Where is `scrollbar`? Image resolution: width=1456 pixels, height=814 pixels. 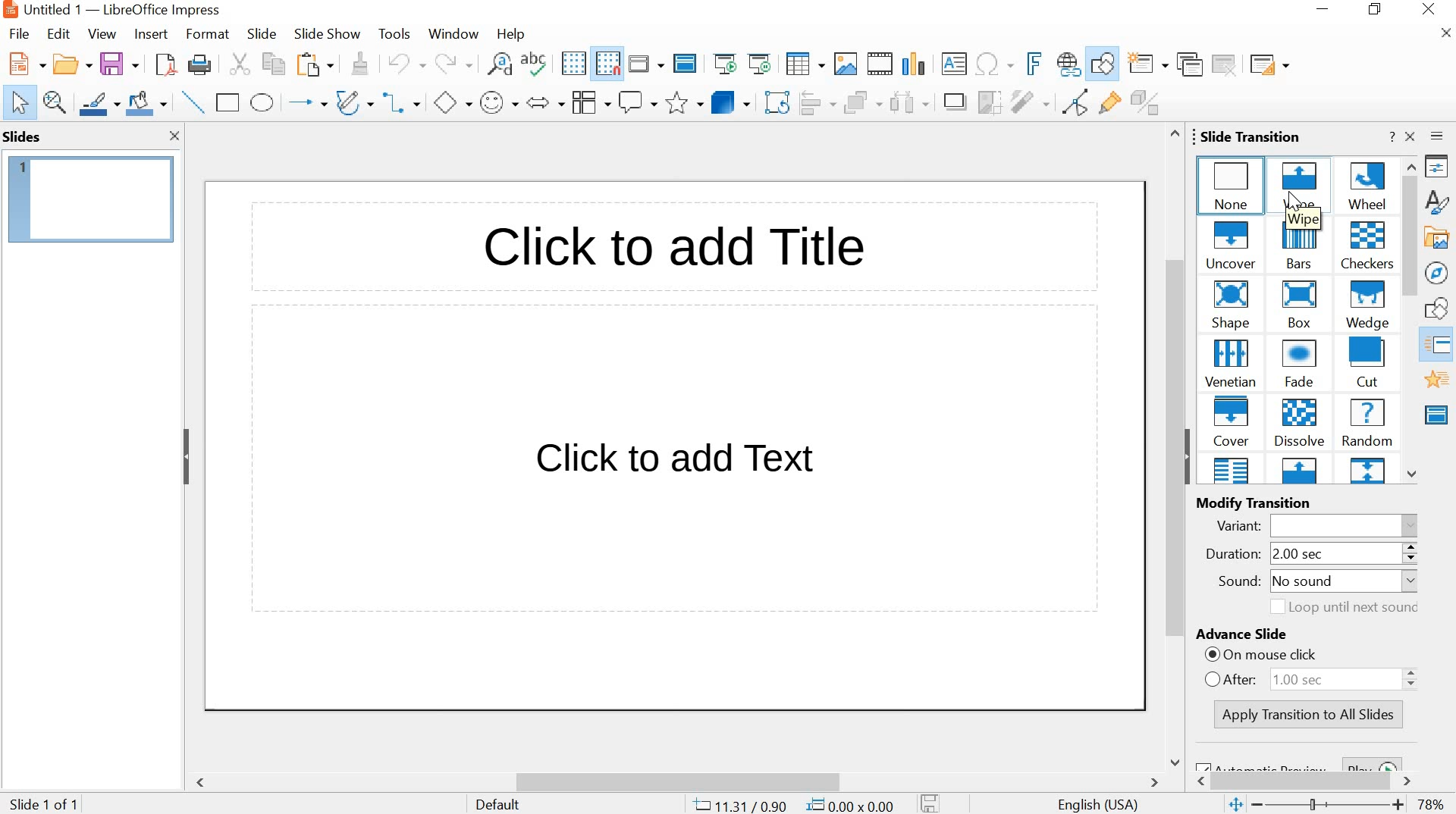
scrollbar is located at coordinates (1173, 447).